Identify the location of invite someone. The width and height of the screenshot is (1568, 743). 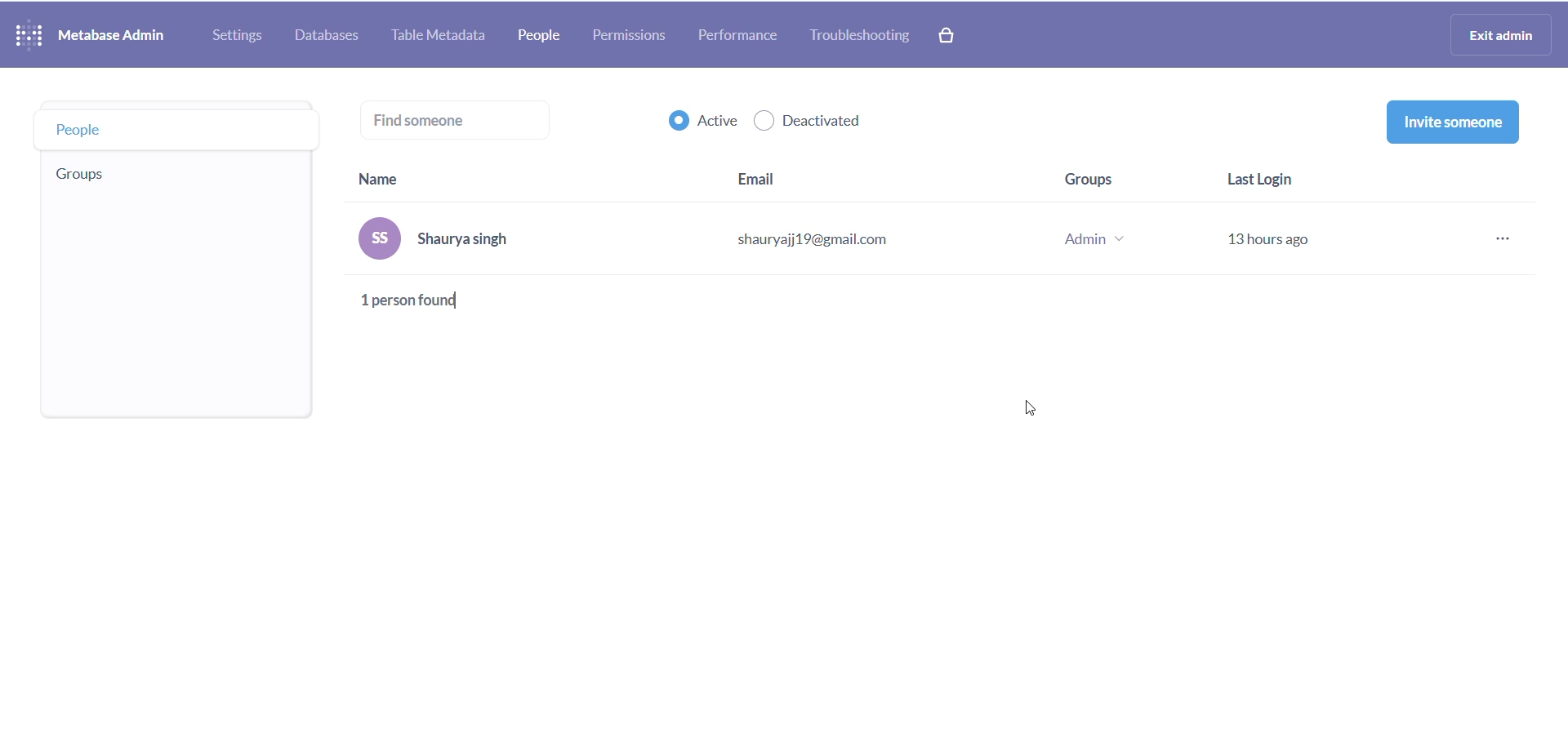
(1457, 123).